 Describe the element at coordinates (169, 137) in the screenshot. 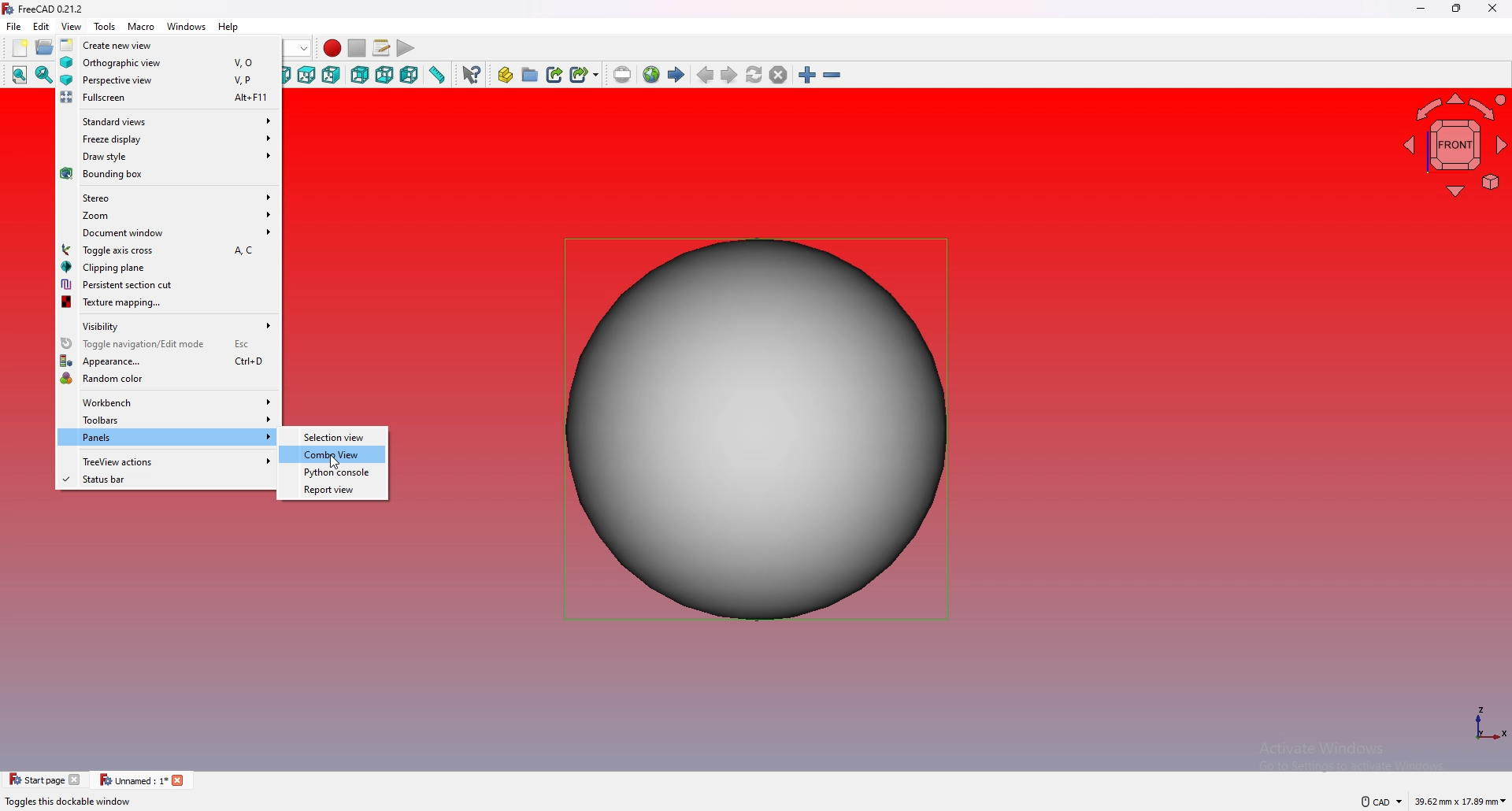

I see `freeze display` at that location.